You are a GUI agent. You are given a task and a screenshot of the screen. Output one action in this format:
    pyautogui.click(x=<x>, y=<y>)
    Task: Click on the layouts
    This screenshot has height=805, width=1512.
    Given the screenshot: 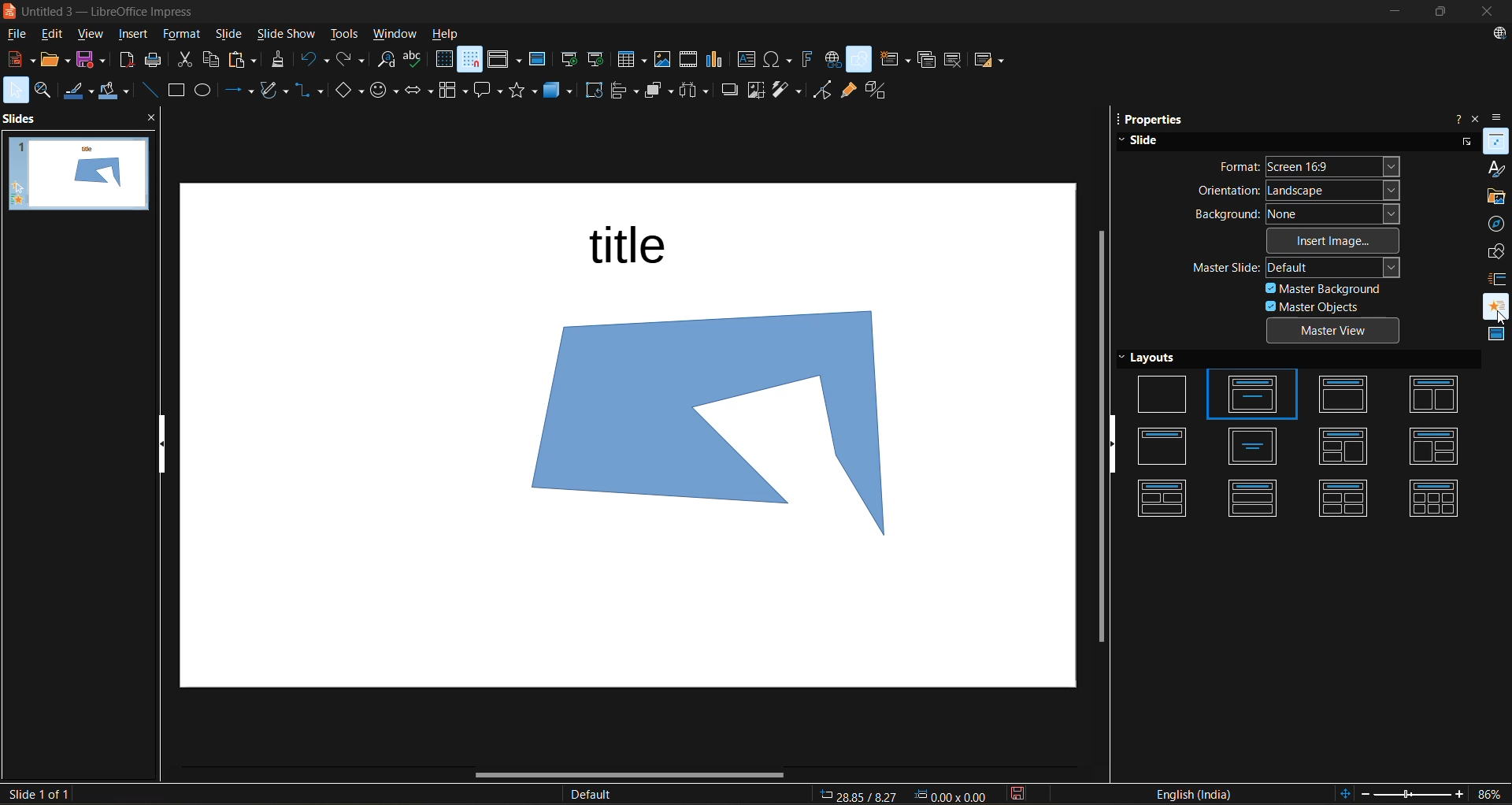 What is the action you would take?
    pyautogui.click(x=1302, y=435)
    